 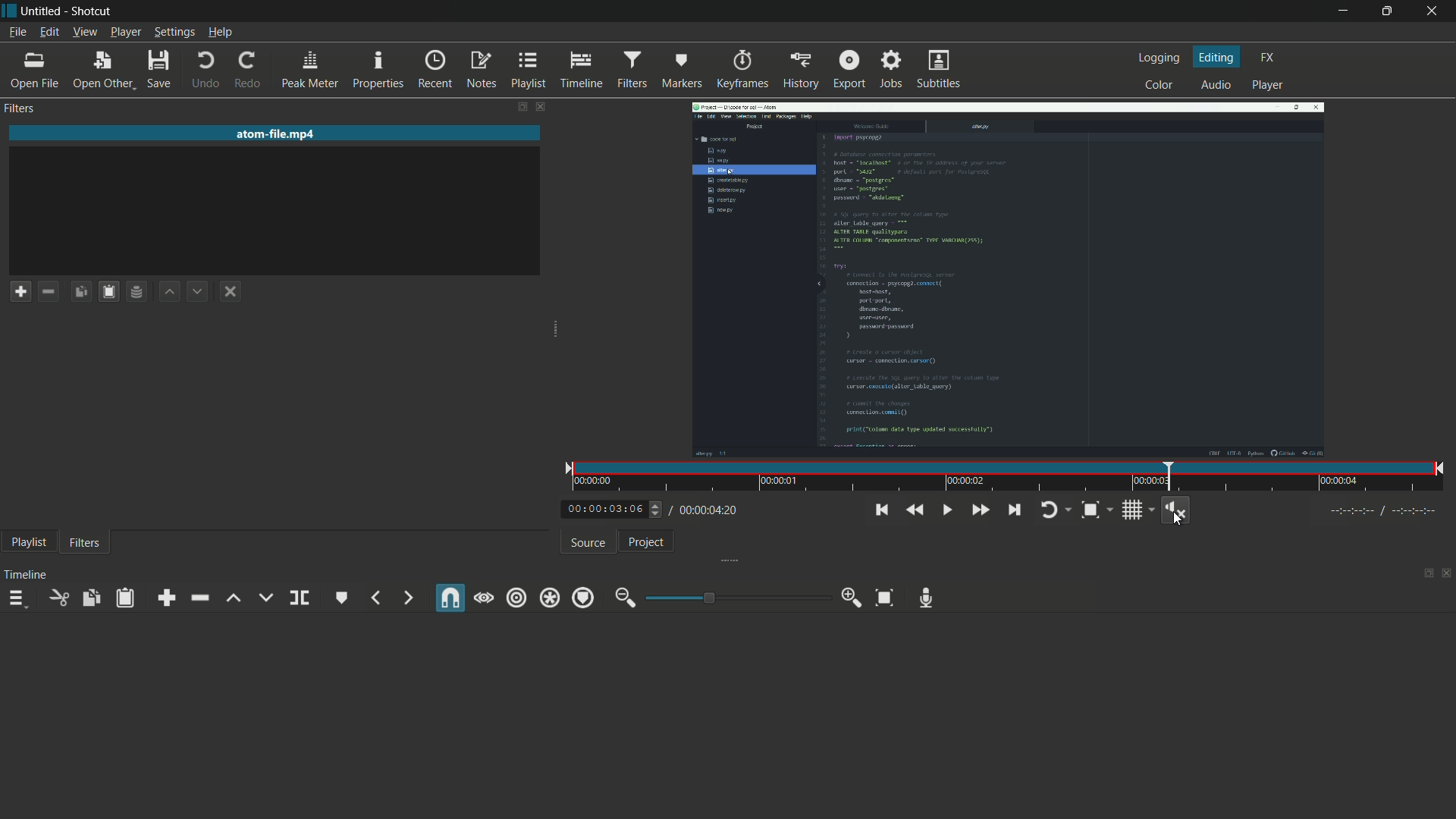 What do you see at coordinates (9, 10) in the screenshot?
I see `app icon` at bounding box center [9, 10].